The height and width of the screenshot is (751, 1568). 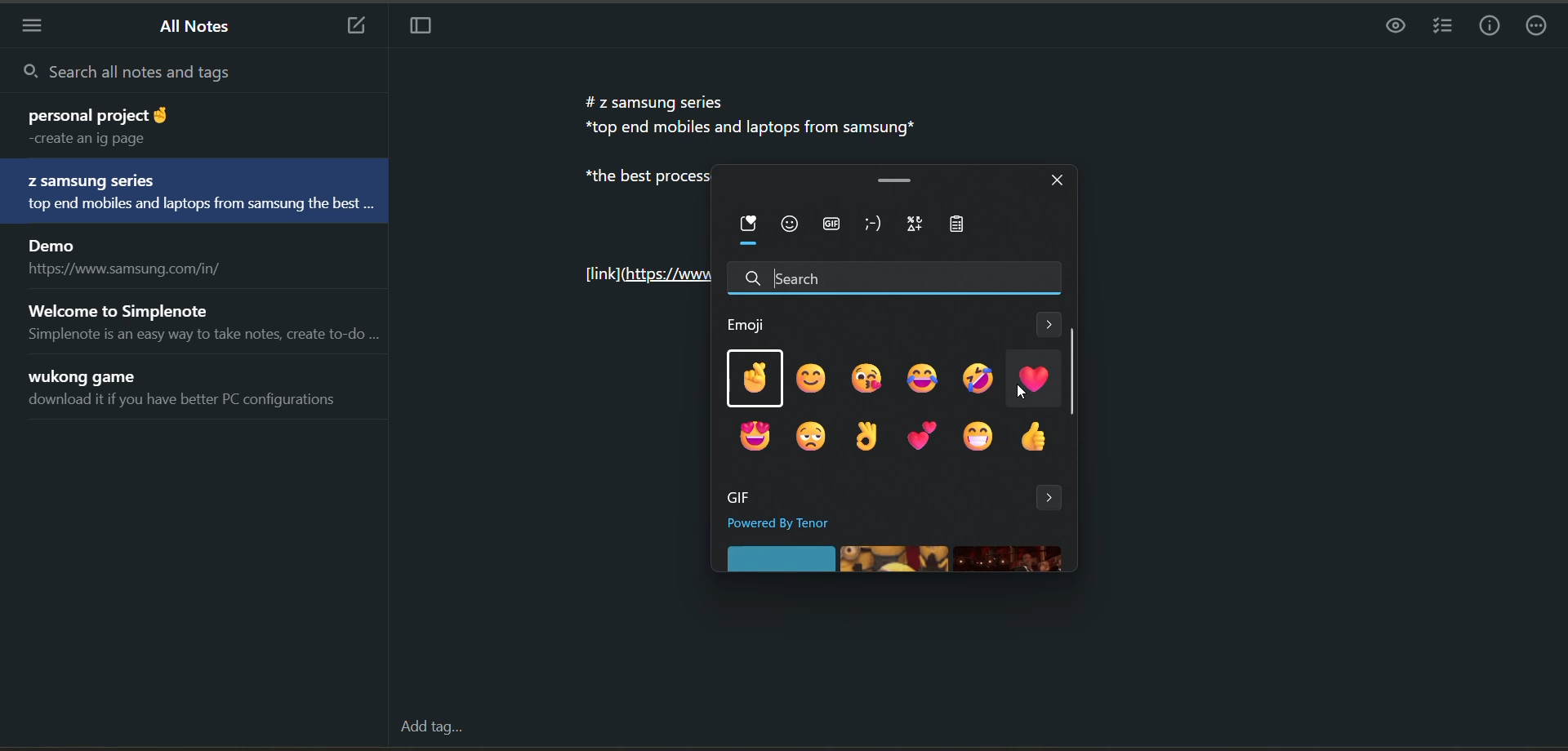 I want to click on cursor, so click(x=719, y=126).